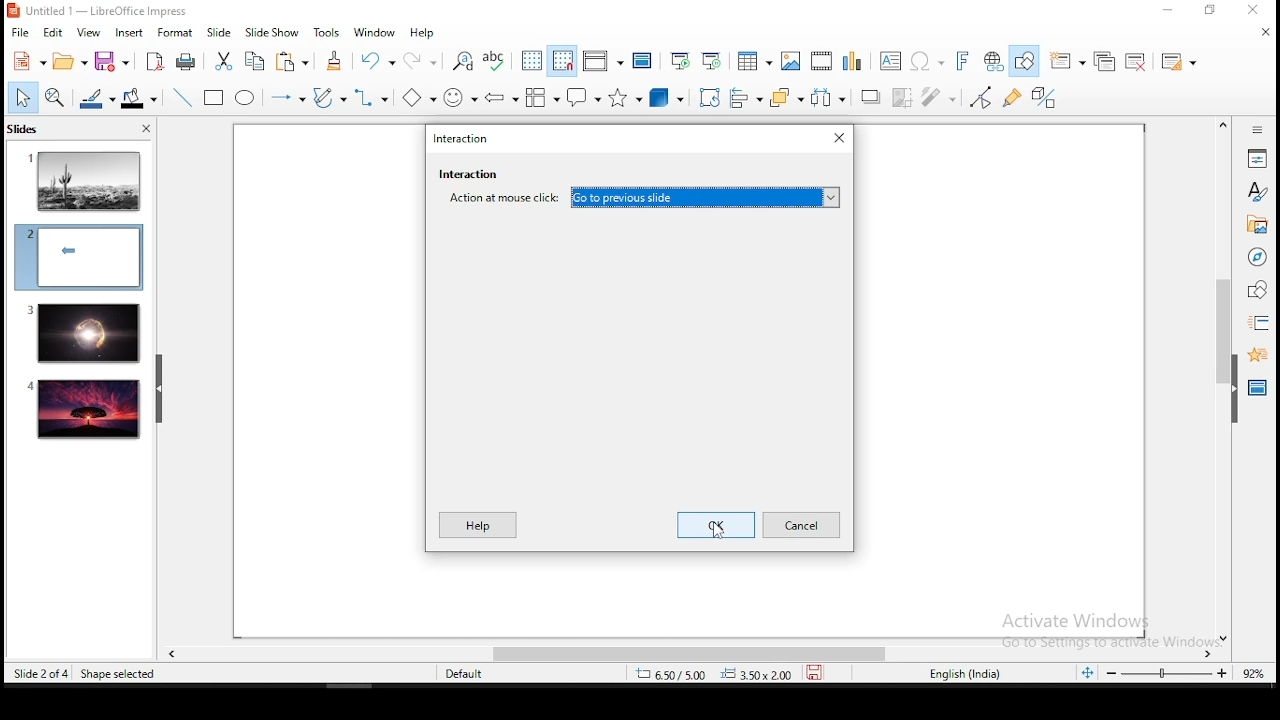  I want to click on select, so click(23, 99).